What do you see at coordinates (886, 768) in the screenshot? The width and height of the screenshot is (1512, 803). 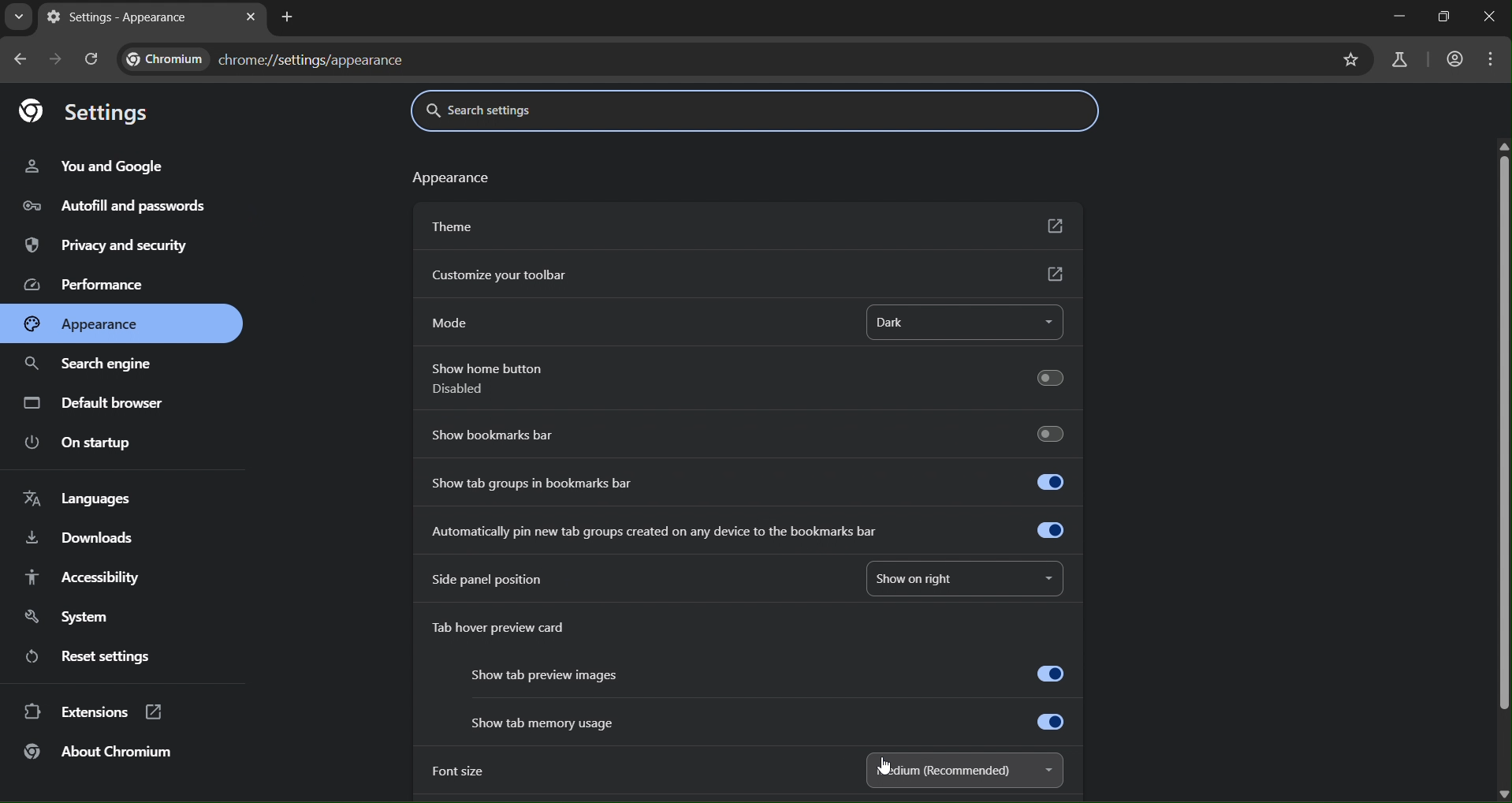 I see `cursor` at bounding box center [886, 768].